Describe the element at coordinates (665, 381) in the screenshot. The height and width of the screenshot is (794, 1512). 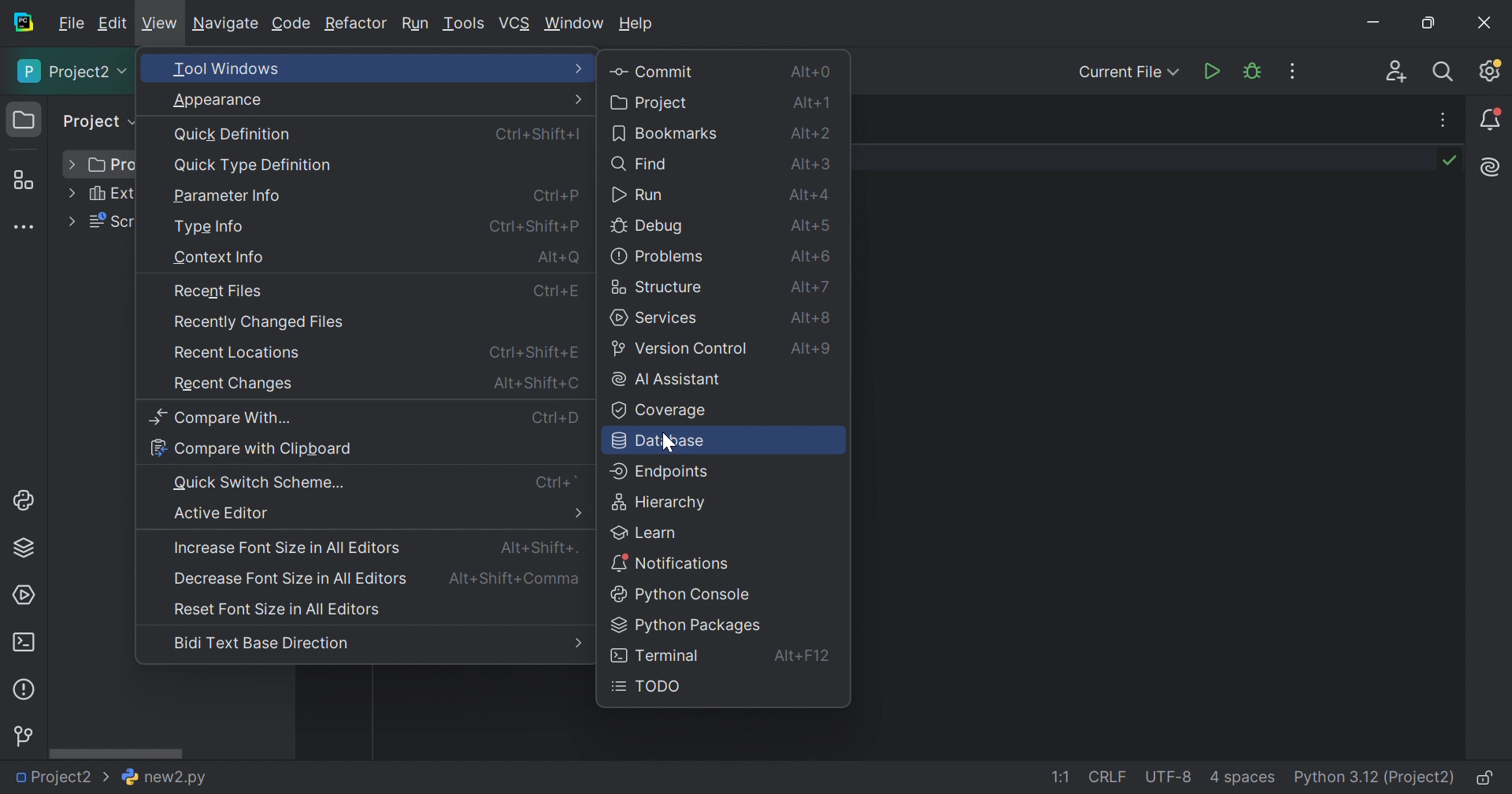
I see `AI Assistant` at that location.